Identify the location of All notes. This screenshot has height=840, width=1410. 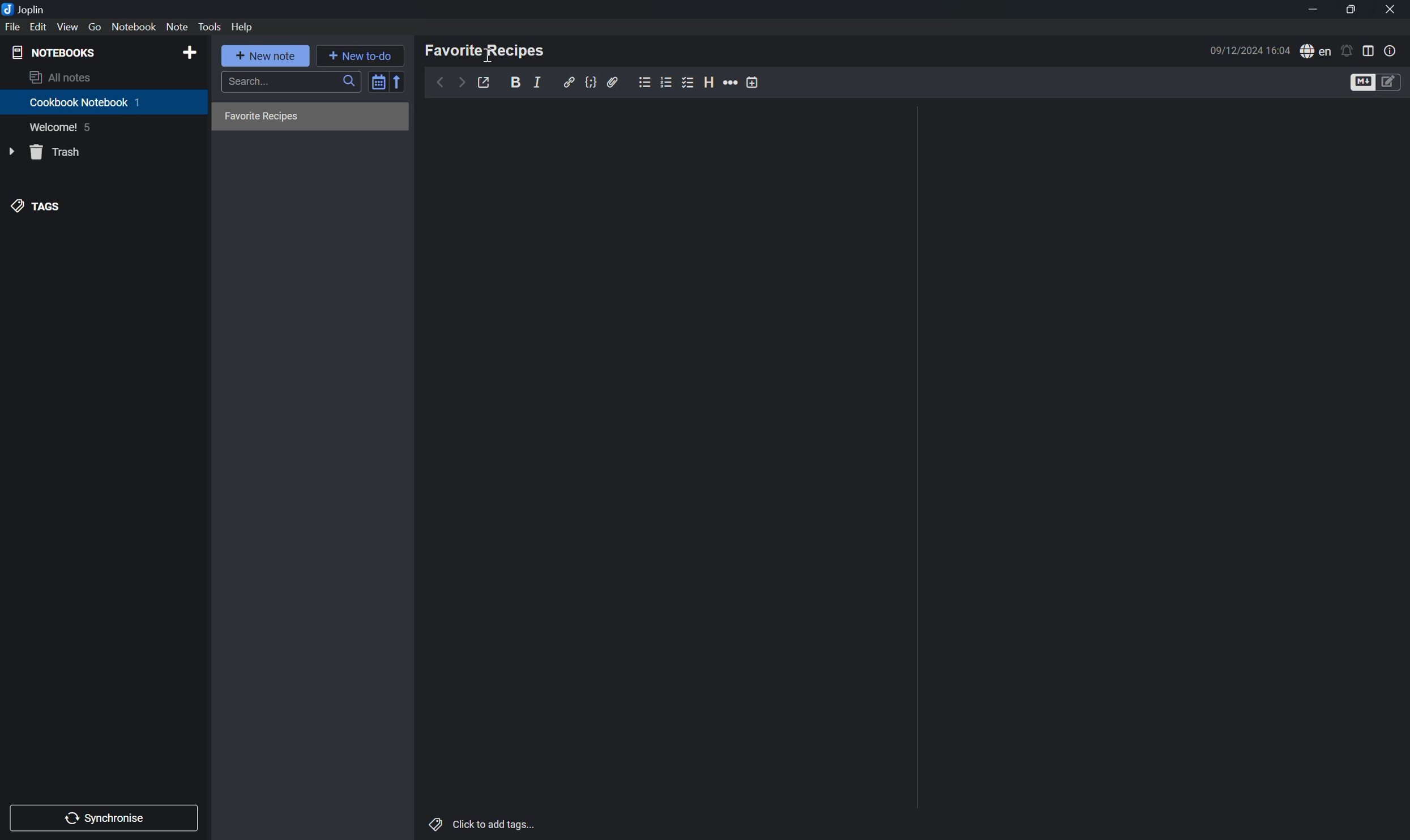
(60, 78).